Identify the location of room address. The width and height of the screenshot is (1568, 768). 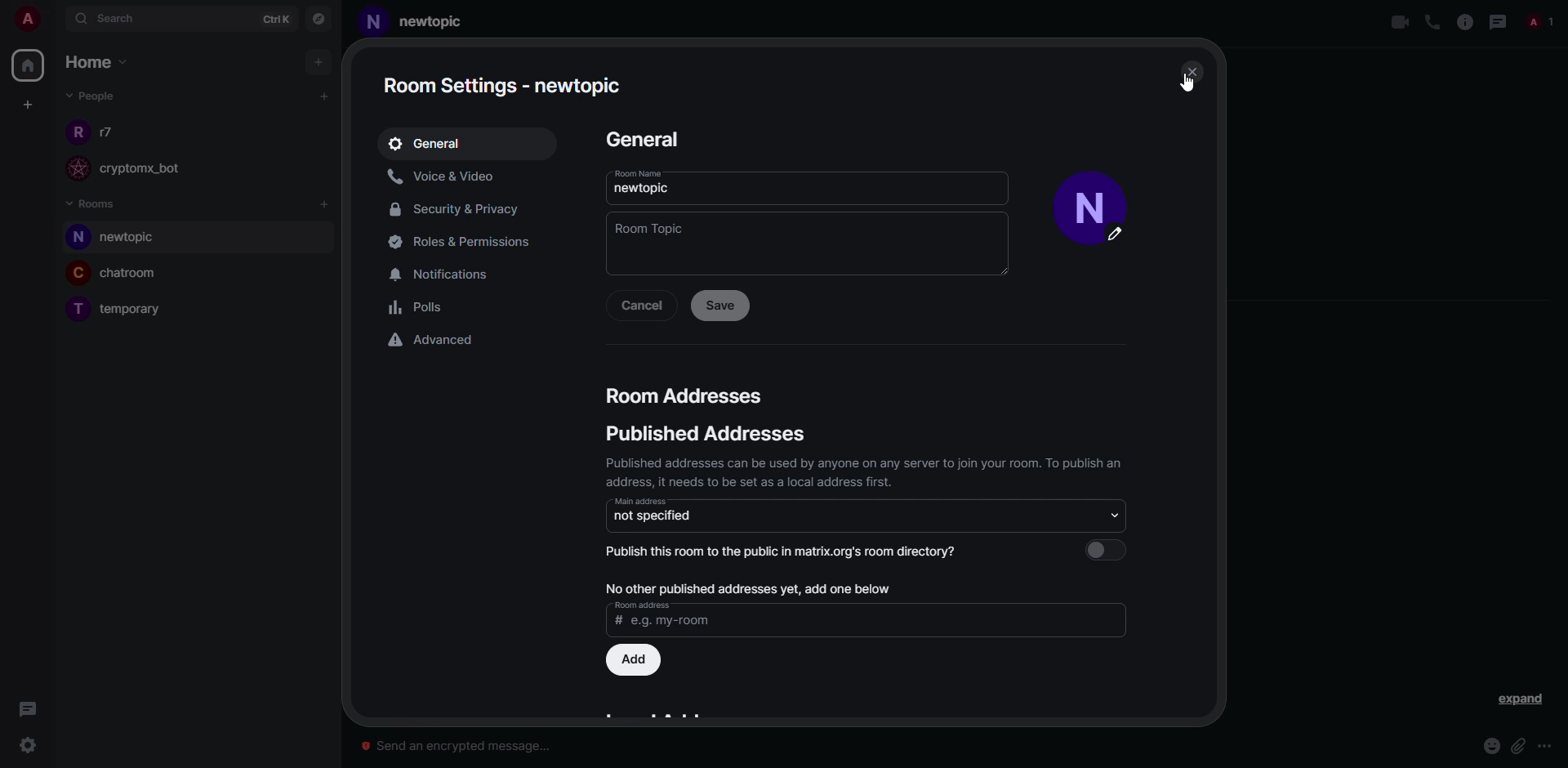
(642, 605).